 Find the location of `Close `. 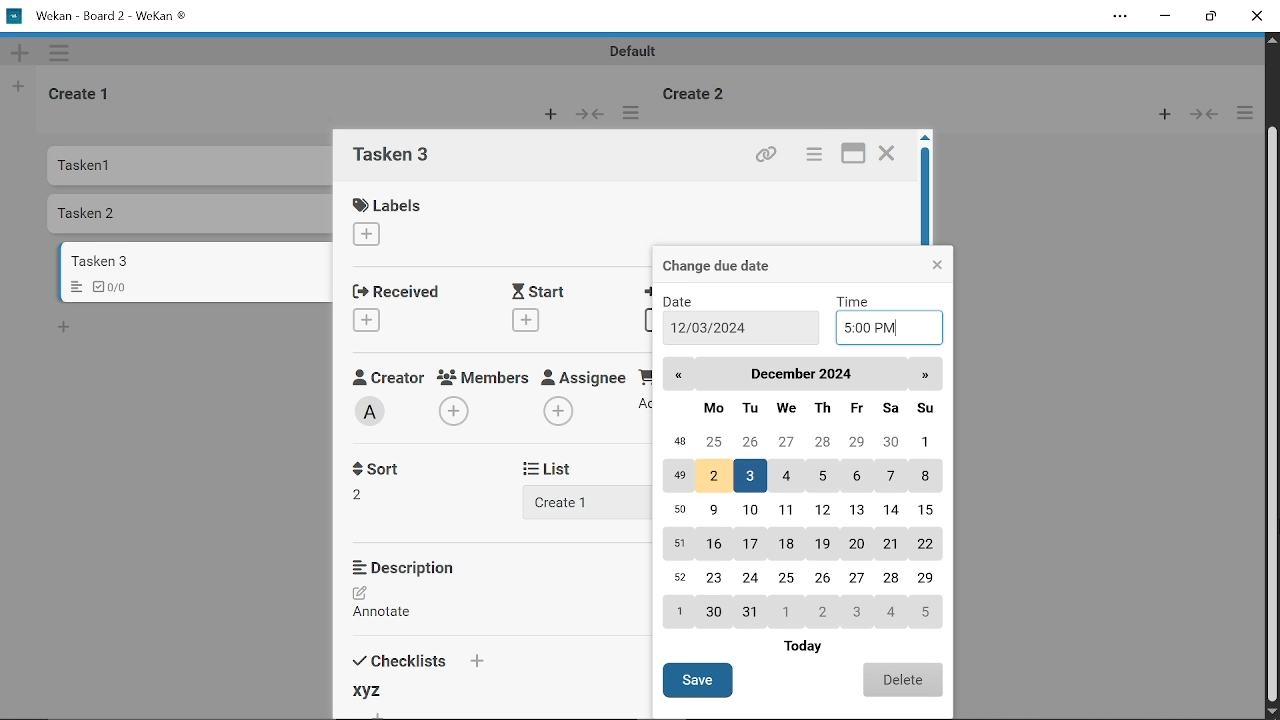

Close  is located at coordinates (887, 155).